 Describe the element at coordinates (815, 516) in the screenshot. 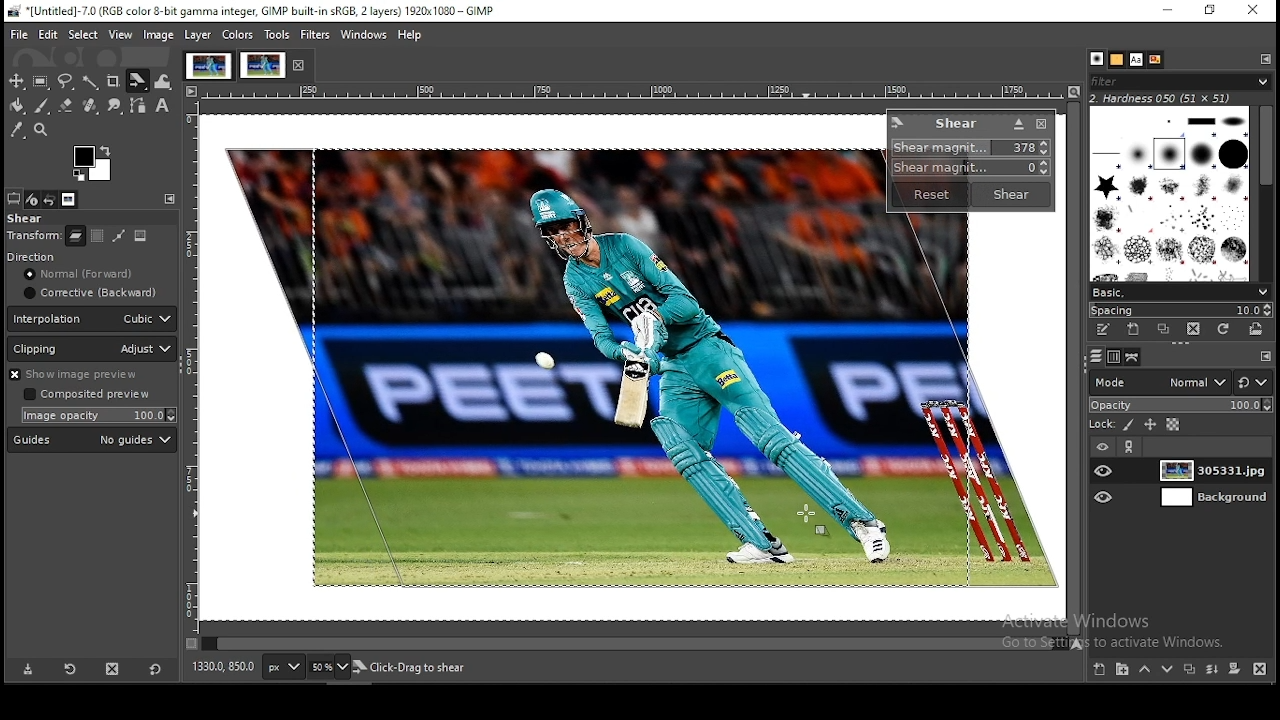

I see `mouse pointer` at that location.